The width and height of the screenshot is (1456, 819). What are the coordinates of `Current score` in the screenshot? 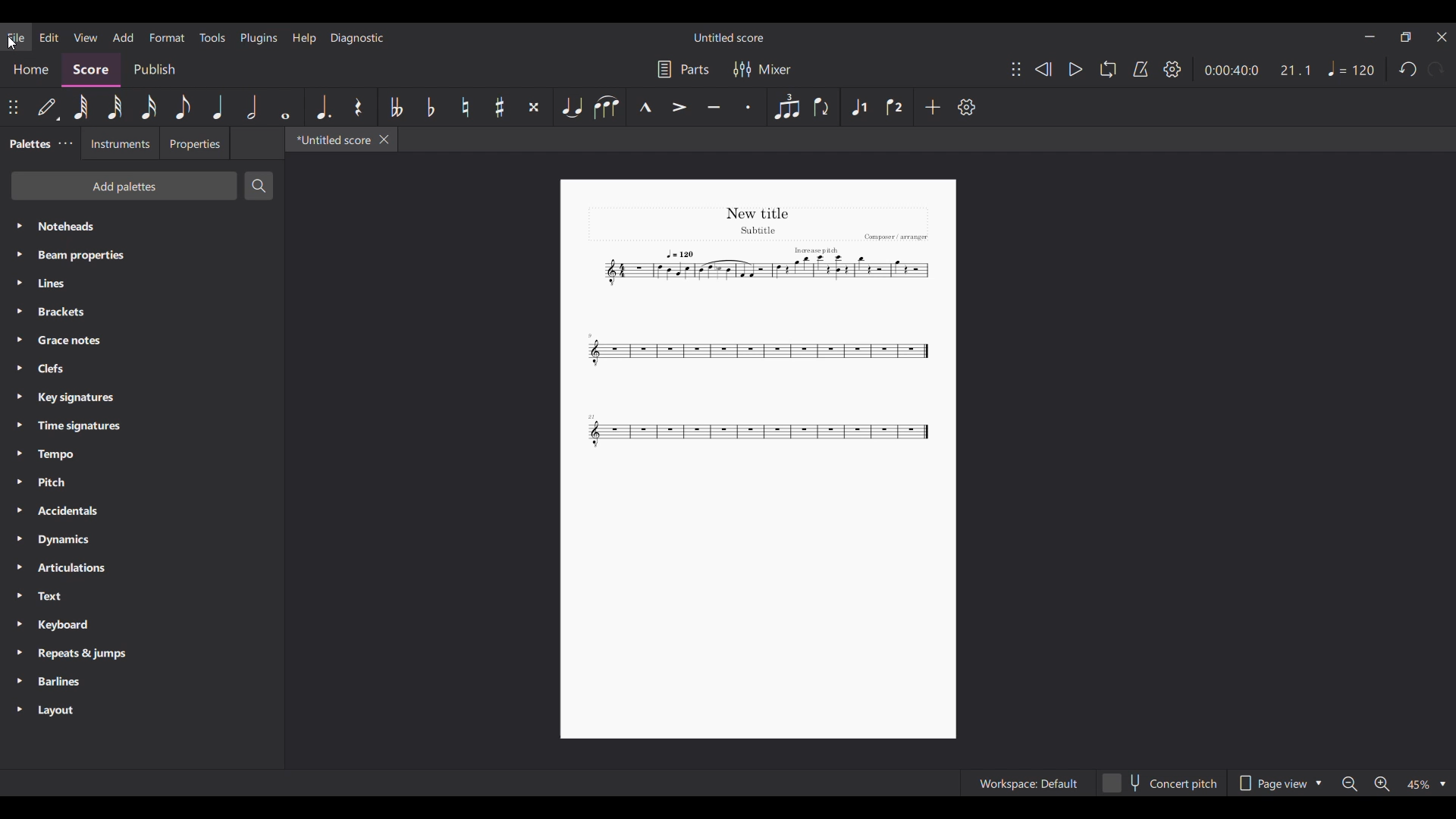 It's located at (761, 330).